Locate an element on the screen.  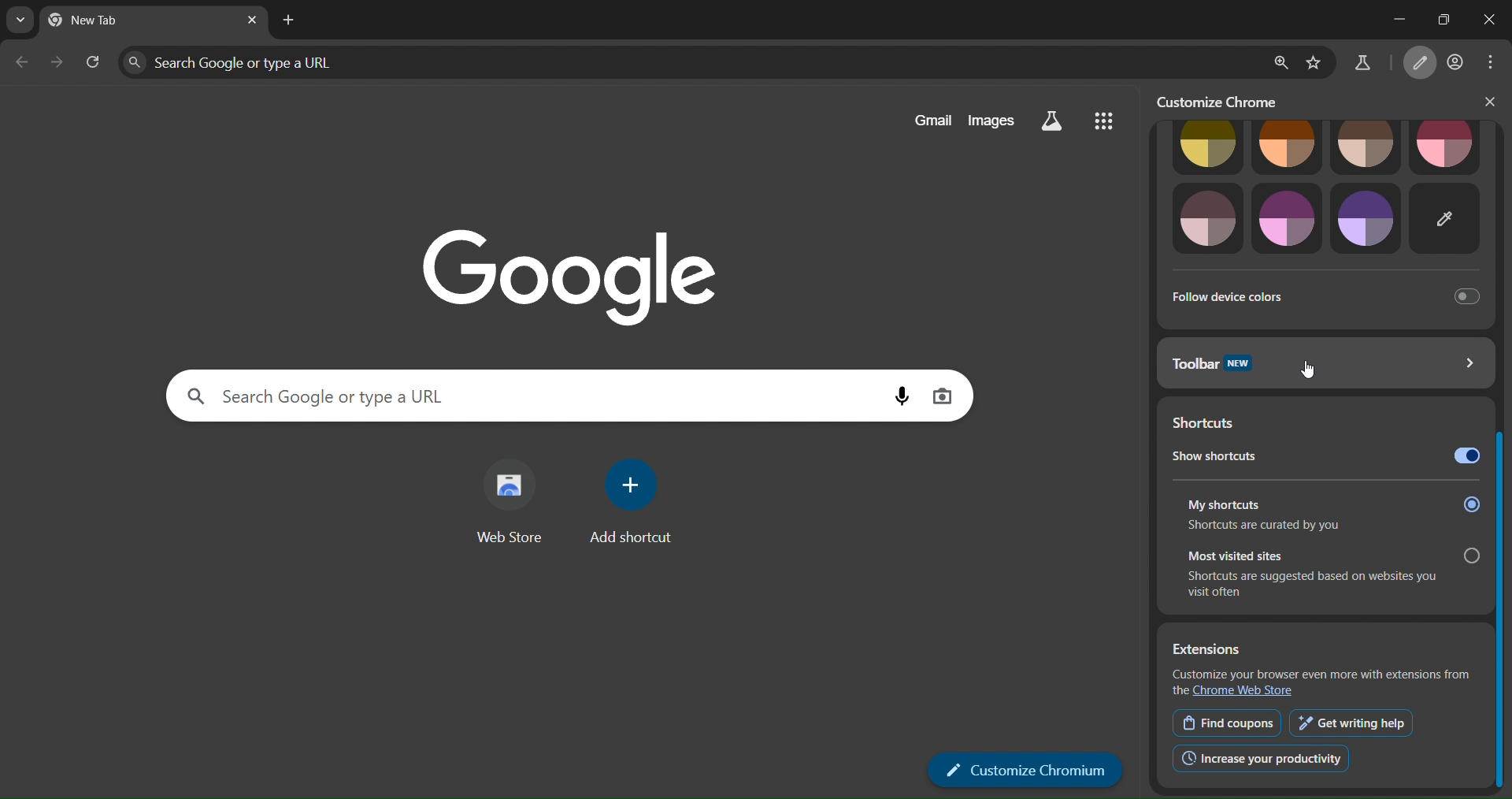
theme is located at coordinates (1203, 147).